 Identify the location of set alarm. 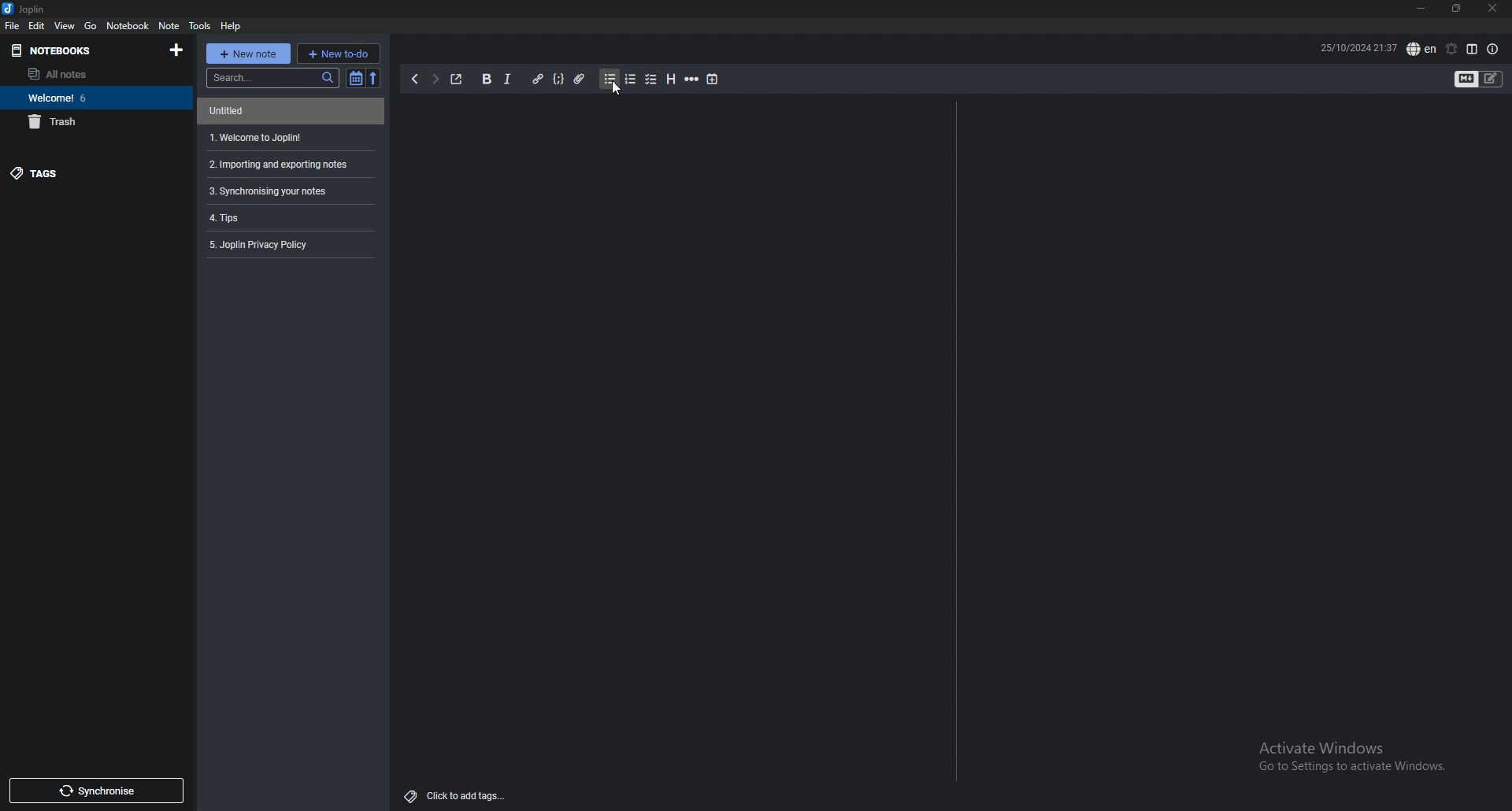
(1447, 49).